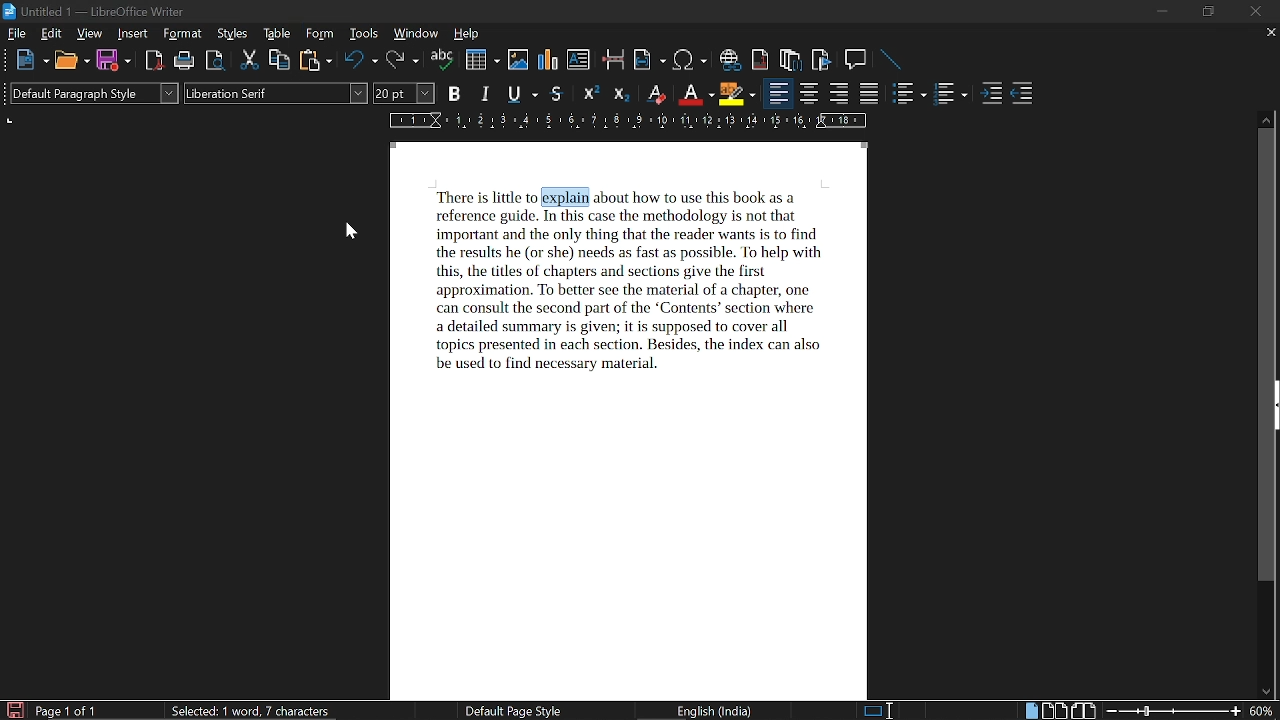 The height and width of the screenshot is (720, 1280). What do you see at coordinates (627, 292) in the screenshot?
I see `reference guide. In this case the methodology is not that
important and the only thing that the reader wants is fo find
the resulis he (or she) needs as fast as possible. To help with
this, the titles of chapters and sections give the first
approximation. To better sec the material of a chapter, one
can consult the second part of the ‘Contents’ section where
a detailed summary is given; it is supposed to cover all
topics presented in each section. Besides, the index can also
be used to find necessary material.` at bounding box center [627, 292].